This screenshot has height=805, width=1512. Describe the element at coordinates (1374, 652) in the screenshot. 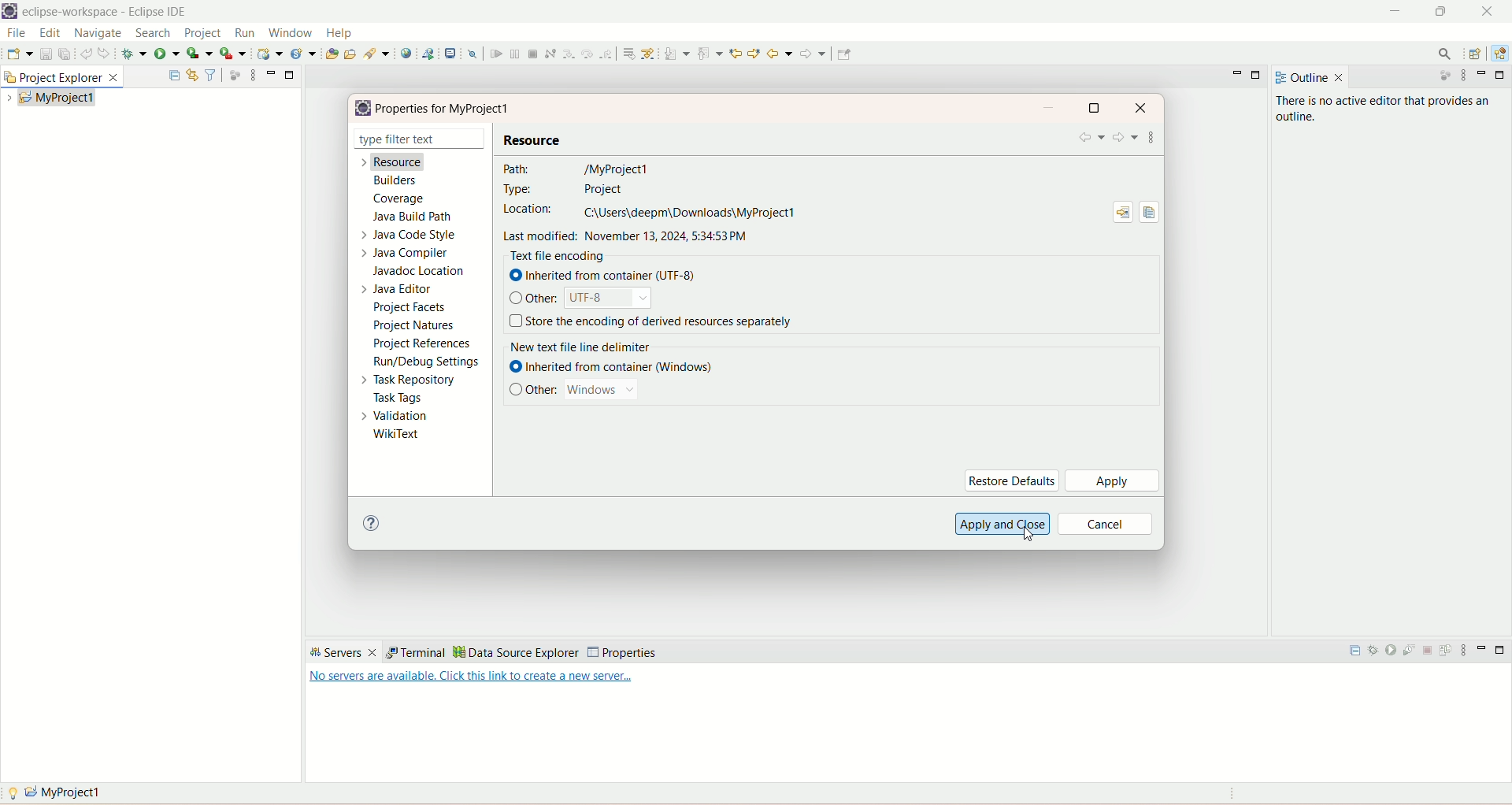

I see `start the server in debug mode` at that location.